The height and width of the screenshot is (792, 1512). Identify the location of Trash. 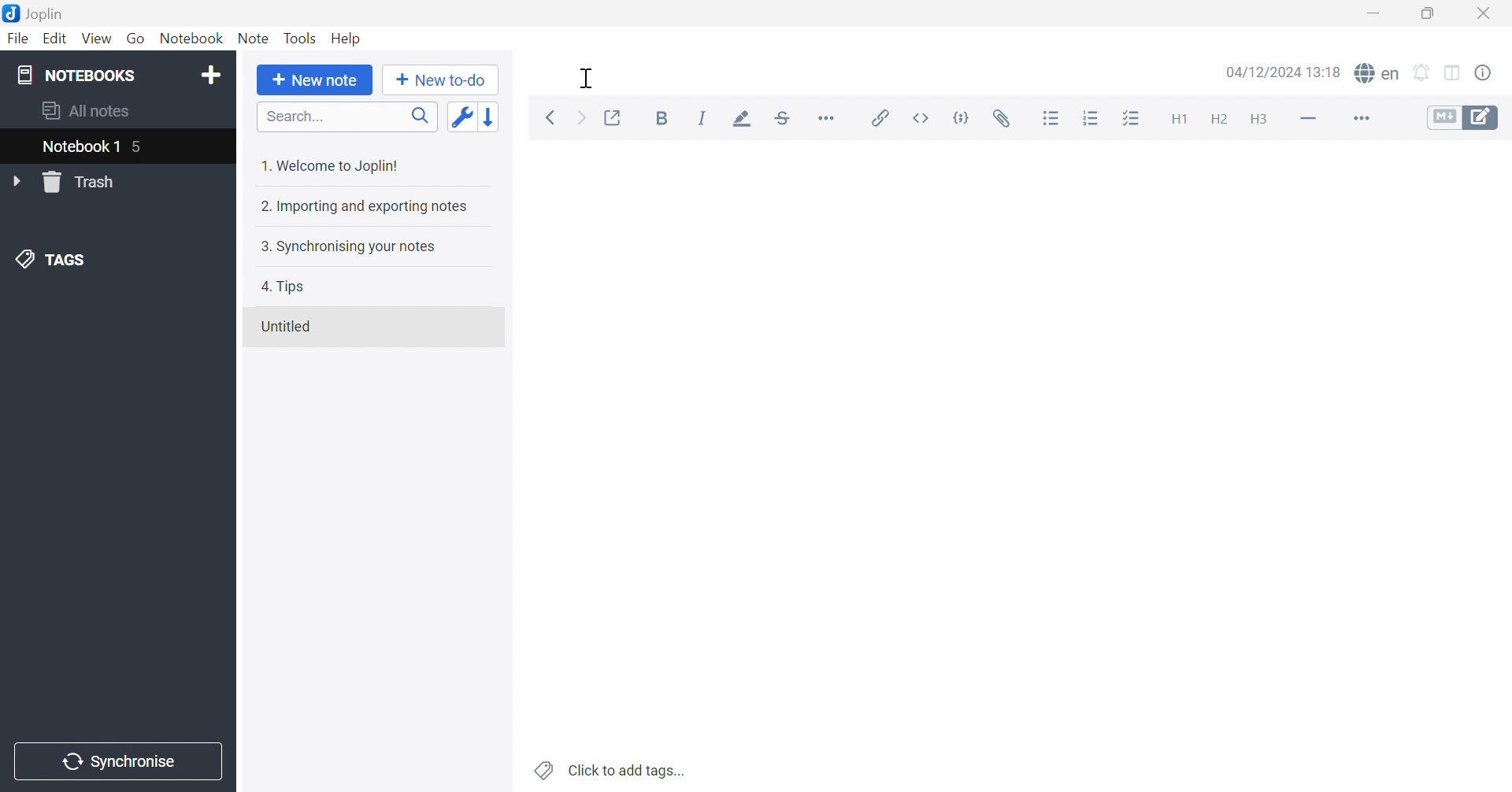
(82, 183).